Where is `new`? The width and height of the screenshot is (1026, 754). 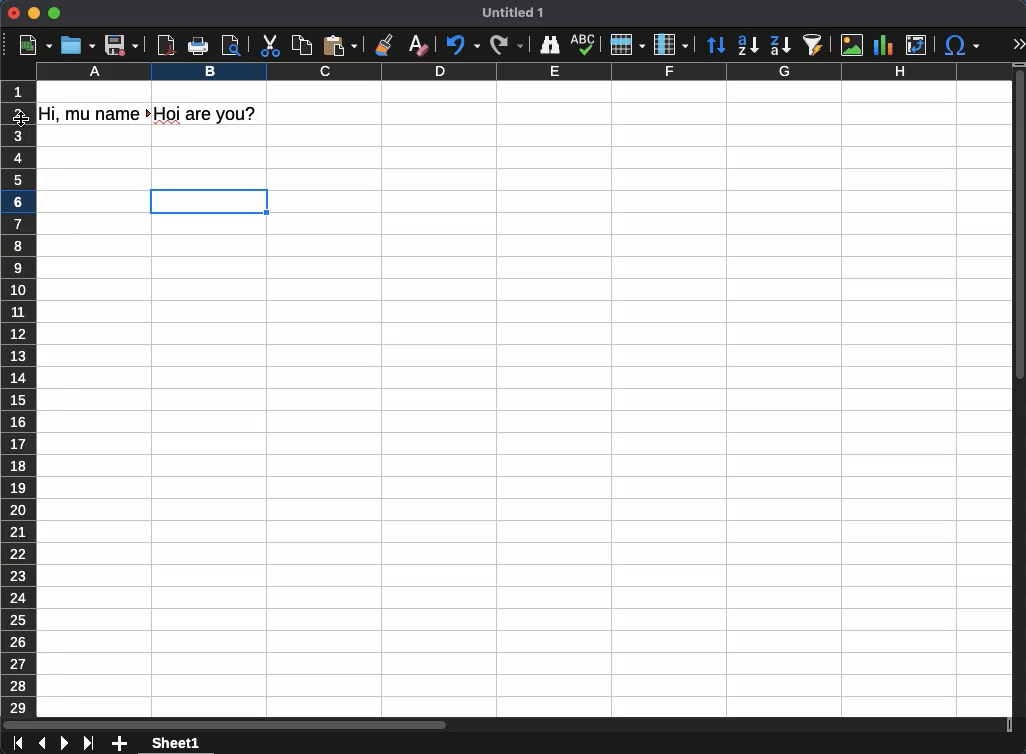 new is located at coordinates (35, 46).